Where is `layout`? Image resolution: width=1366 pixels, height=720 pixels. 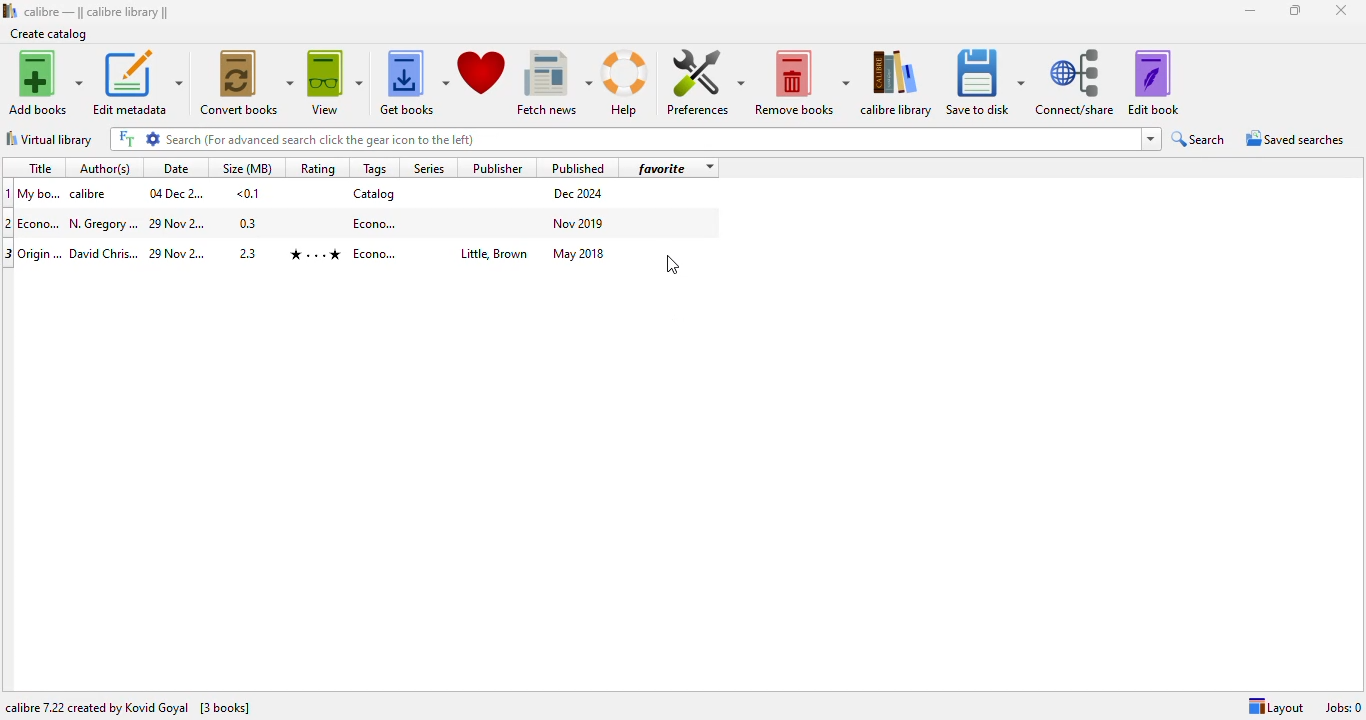 layout is located at coordinates (1278, 707).